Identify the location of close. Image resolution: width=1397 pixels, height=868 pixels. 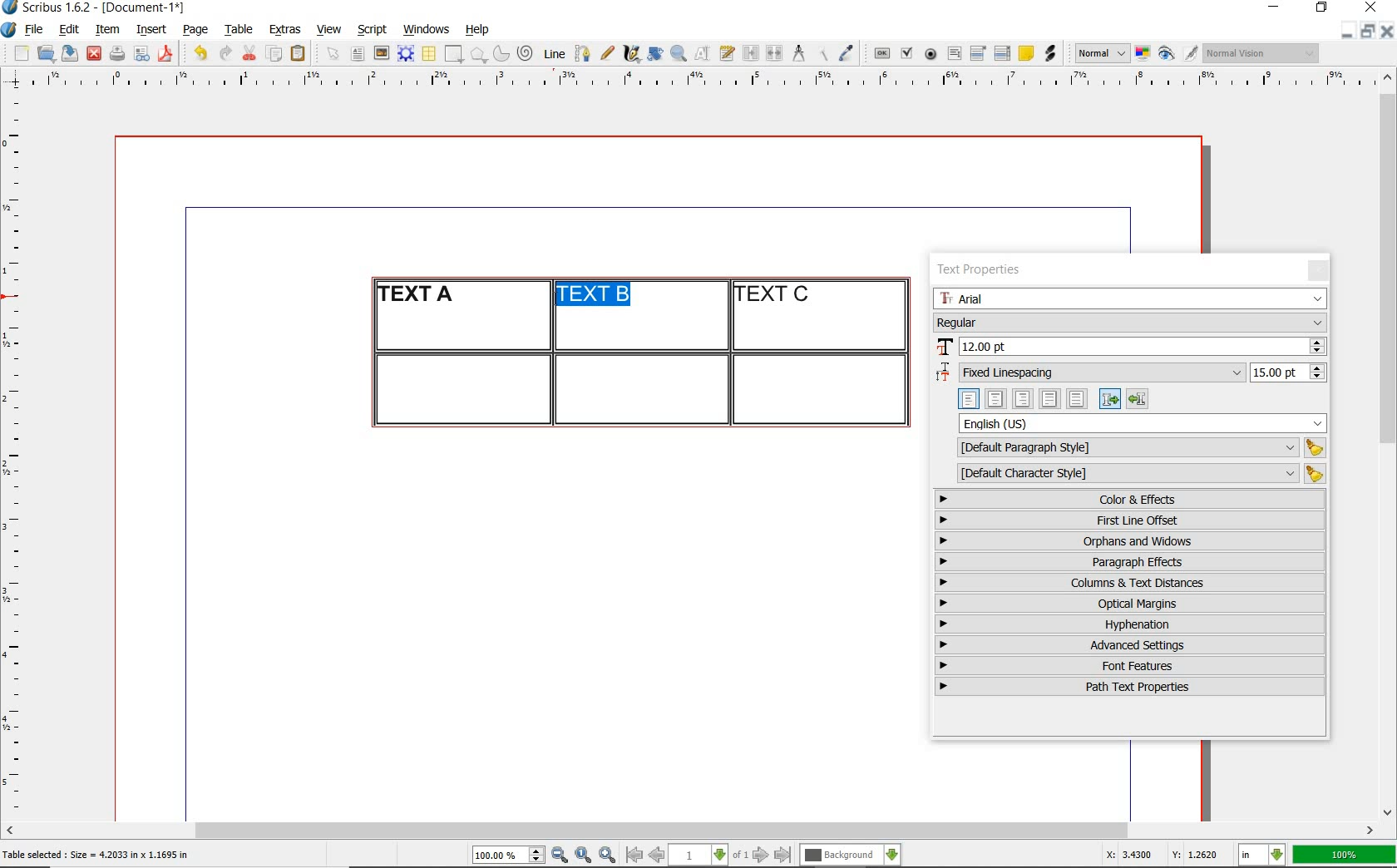
(1387, 31).